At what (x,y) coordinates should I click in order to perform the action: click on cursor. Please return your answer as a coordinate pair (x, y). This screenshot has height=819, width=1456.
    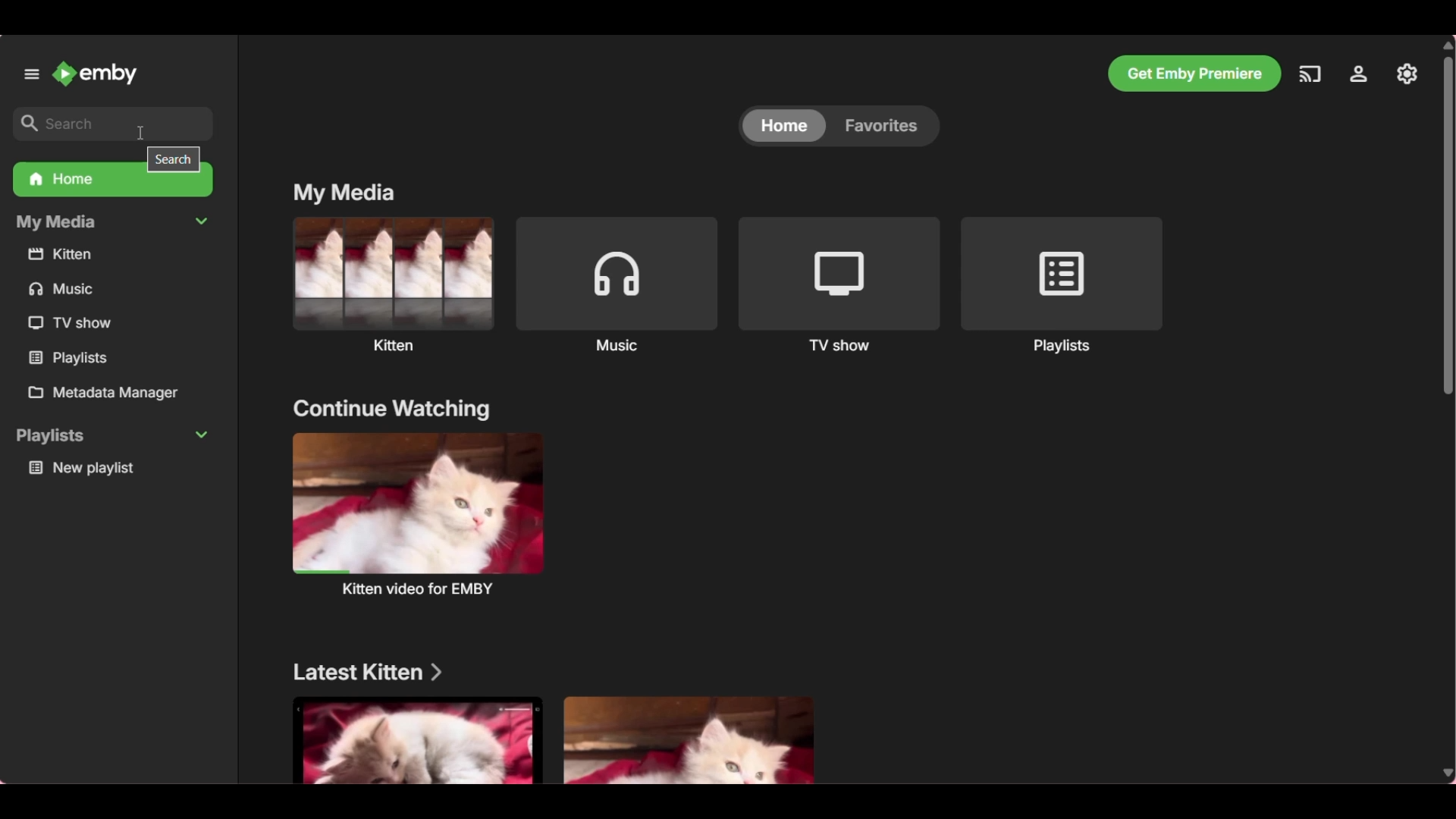
    Looking at the image, I should click on (137, 128).